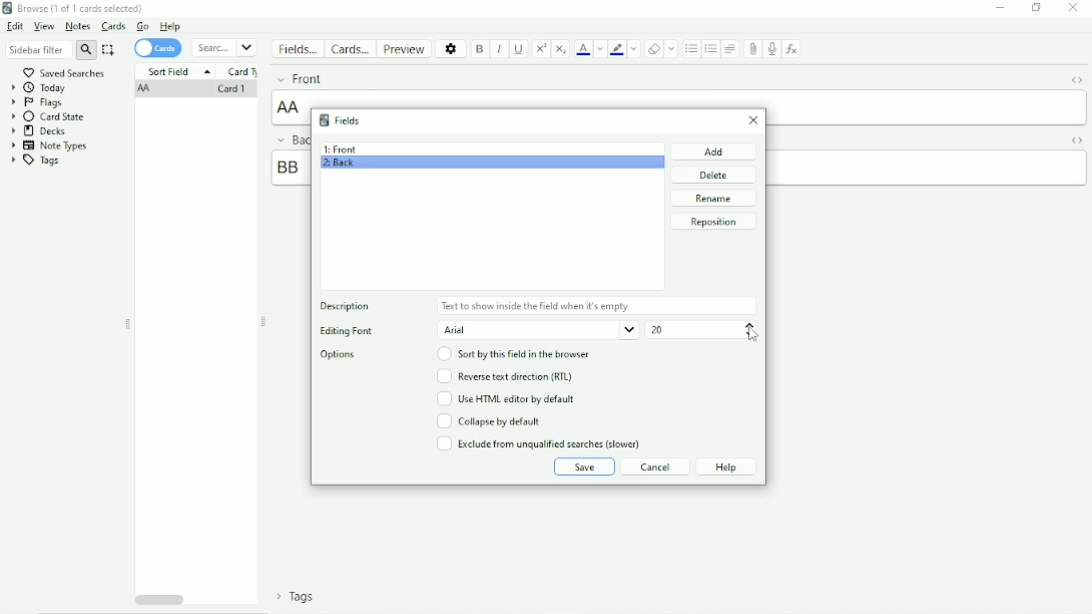 The height and width of the screenshot is (614, 1092). Describe the element at coordinates (714, 198) in the screenshot. I see `Rename` at that location.